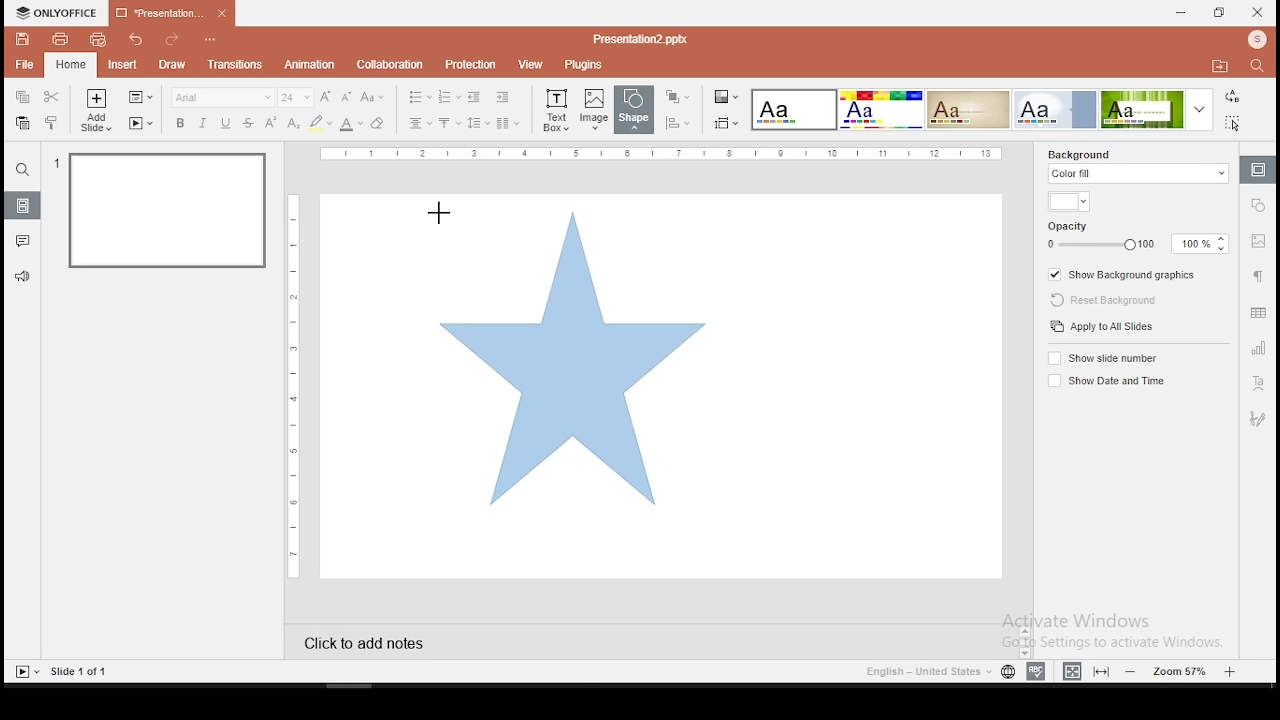  What do you see at coordinates (1258, 12) in the screenshot?
I see `close window` at bounding box center [1258, 12].